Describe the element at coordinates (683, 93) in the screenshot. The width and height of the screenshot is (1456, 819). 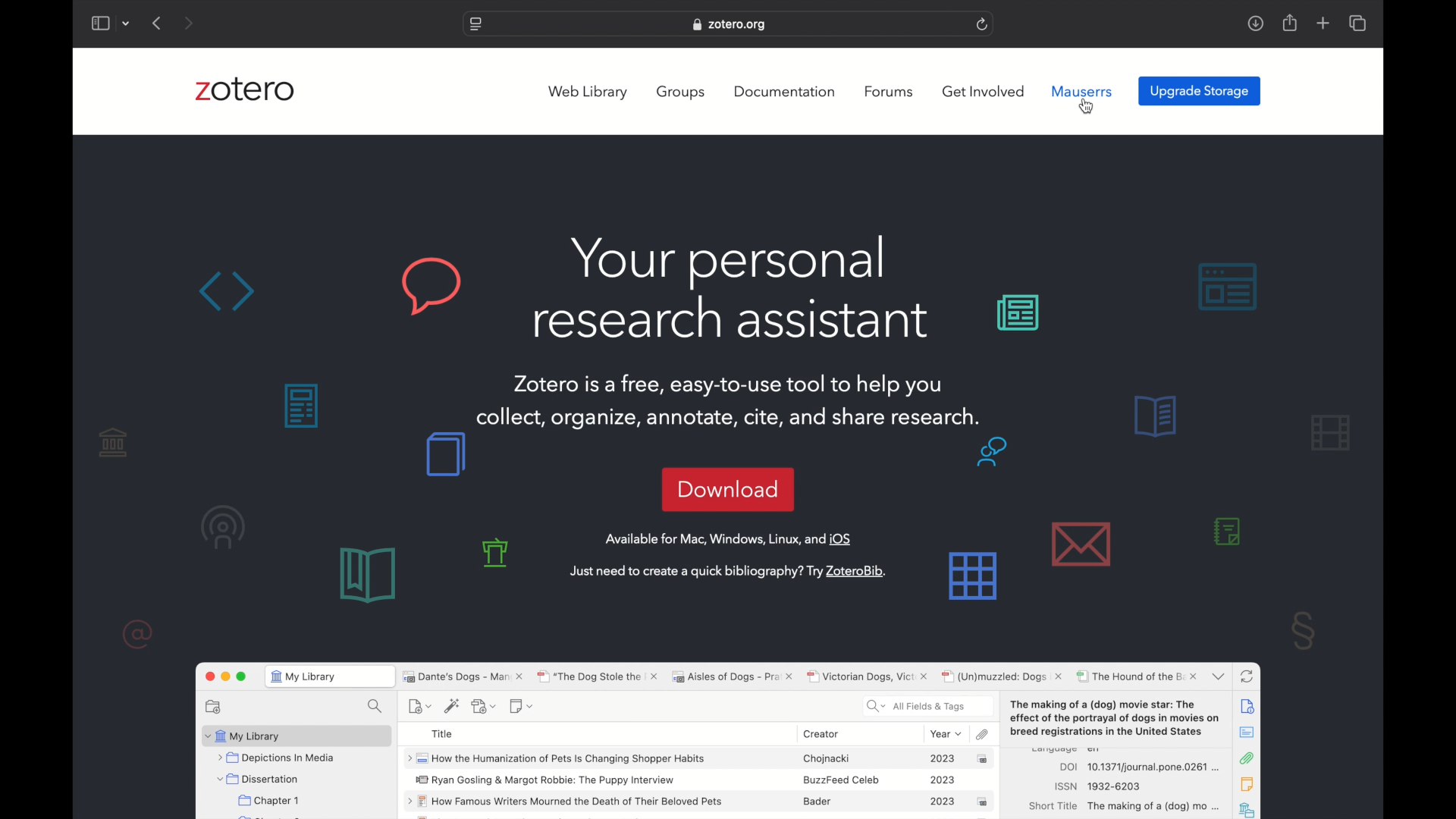
I see `groups` at that location.